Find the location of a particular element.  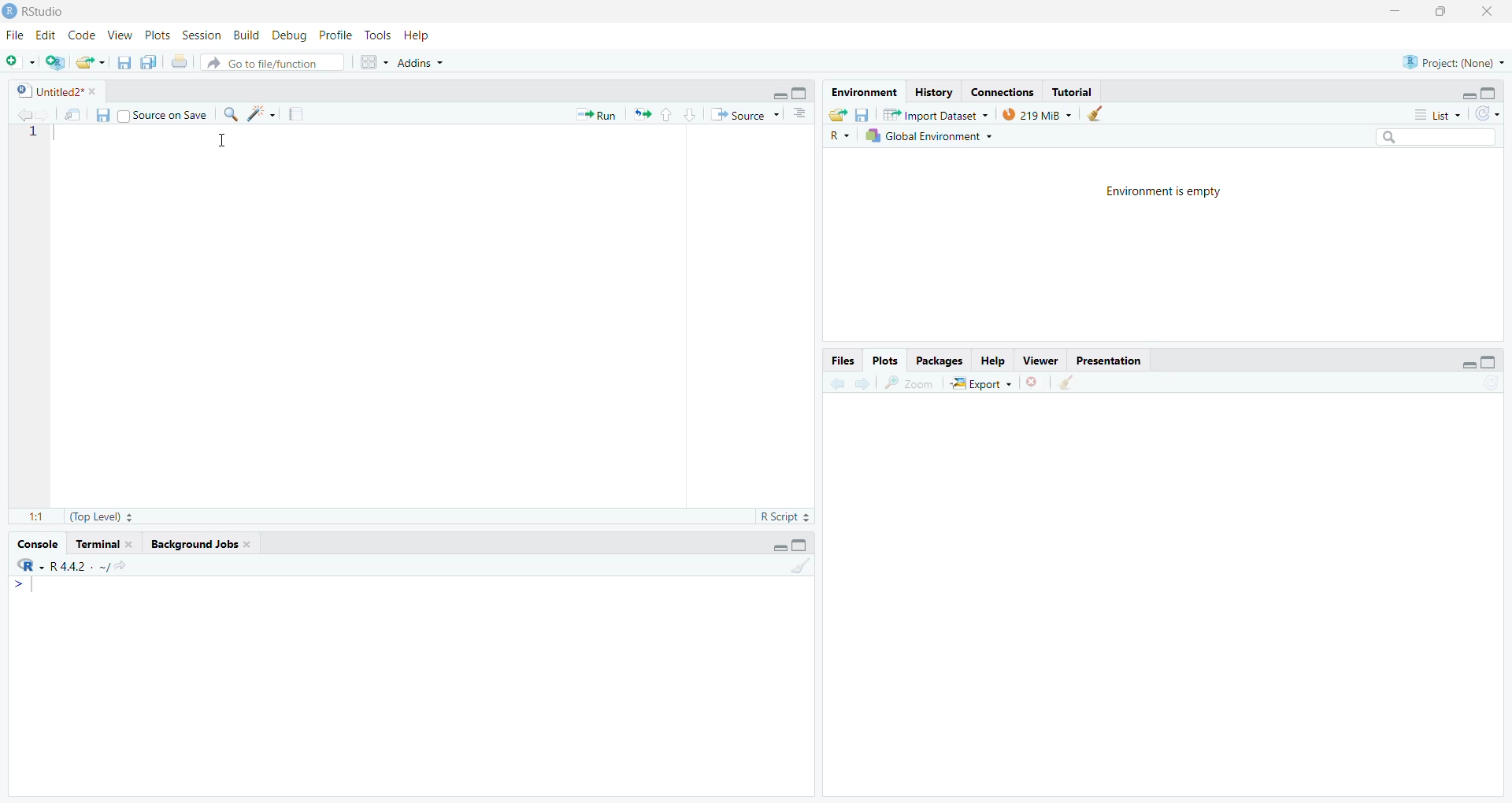

Code Editor is located at coordinates (434, 316).